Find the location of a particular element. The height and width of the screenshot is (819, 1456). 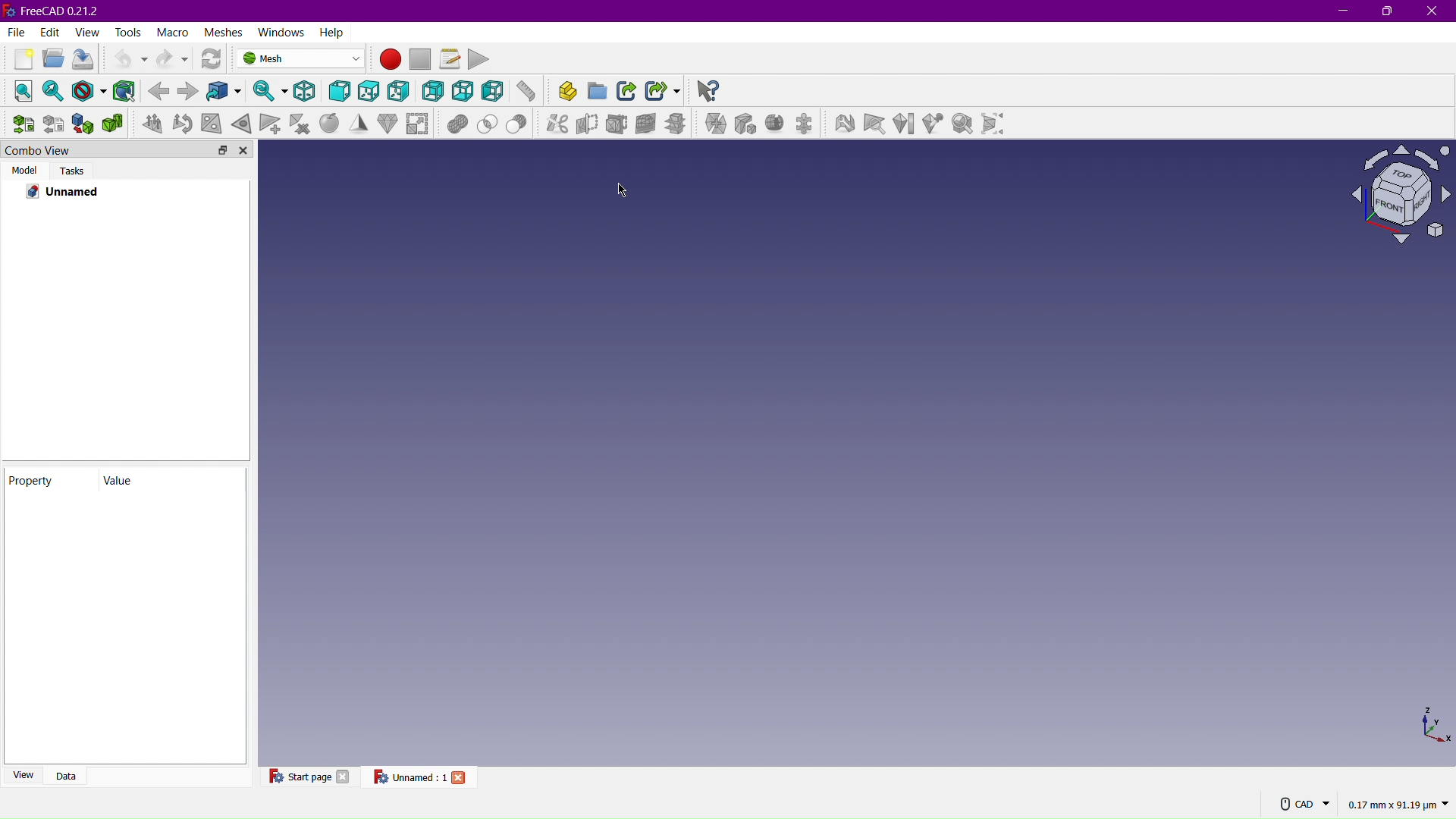

Meshes is located at coordinates (224, 32).